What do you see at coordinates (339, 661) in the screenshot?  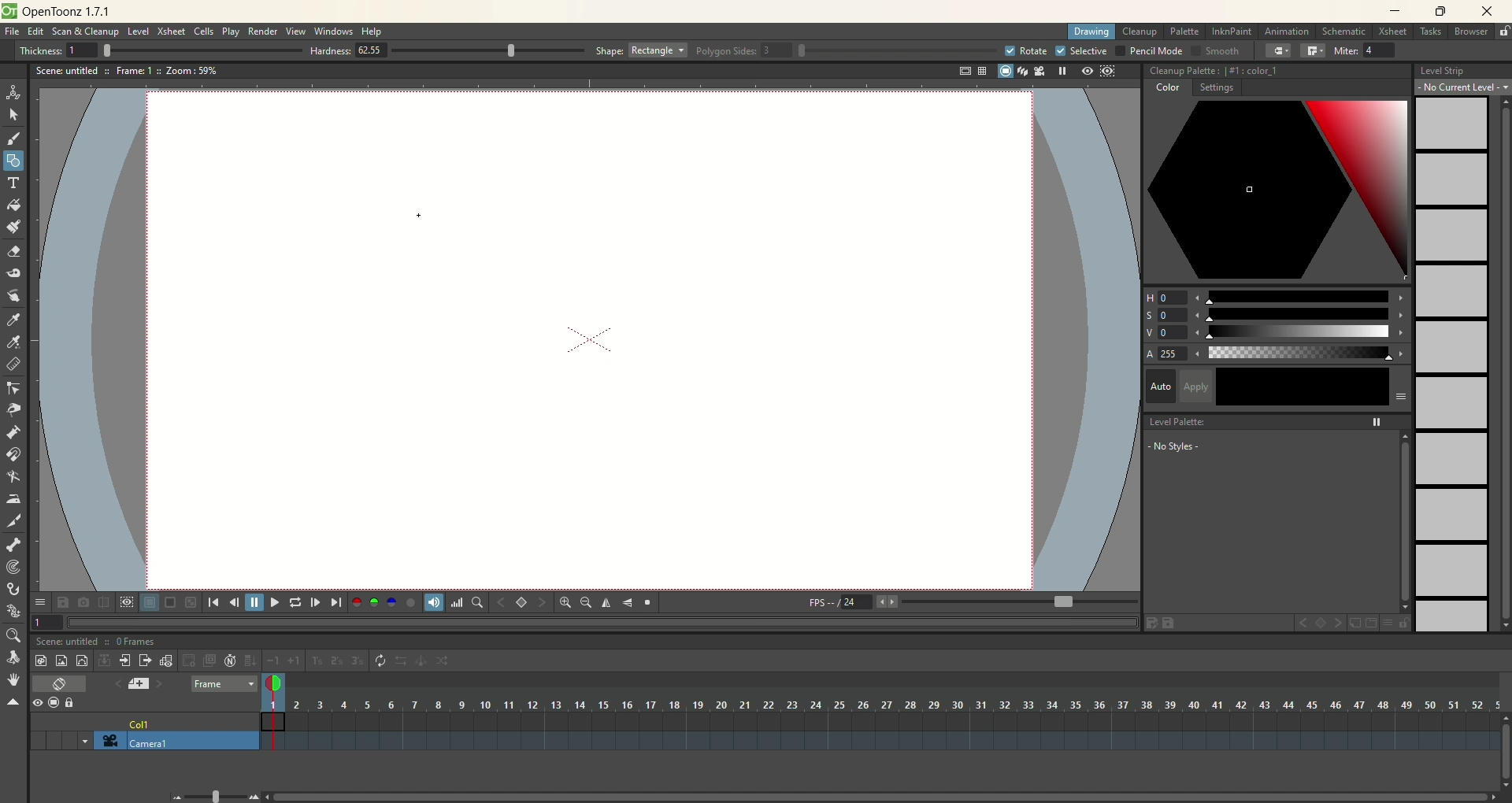 I see `reframe on 2's` at bounding box center [339, 661].